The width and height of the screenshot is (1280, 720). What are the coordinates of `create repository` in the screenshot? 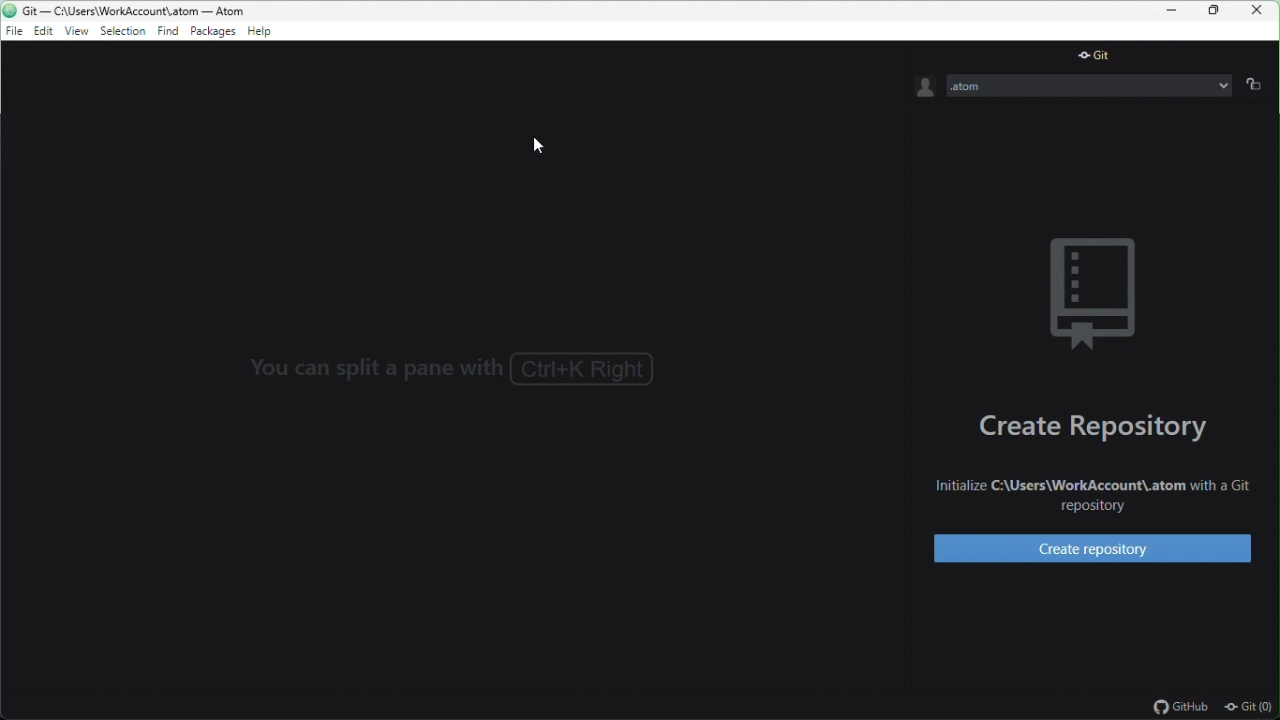 It's located at (1092, 548).